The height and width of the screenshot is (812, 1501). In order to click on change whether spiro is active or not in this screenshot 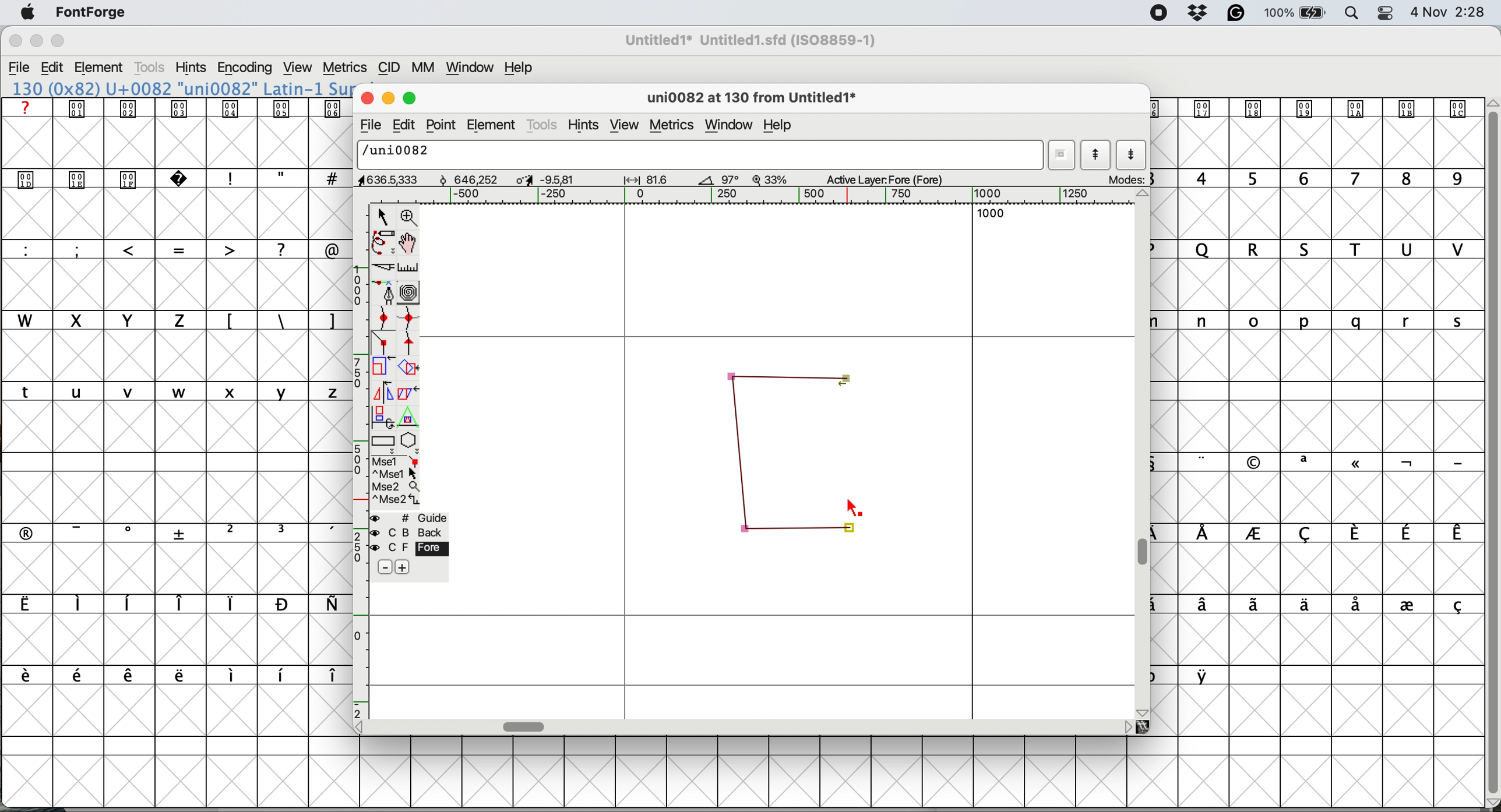, I will do `click(410, 292)`.